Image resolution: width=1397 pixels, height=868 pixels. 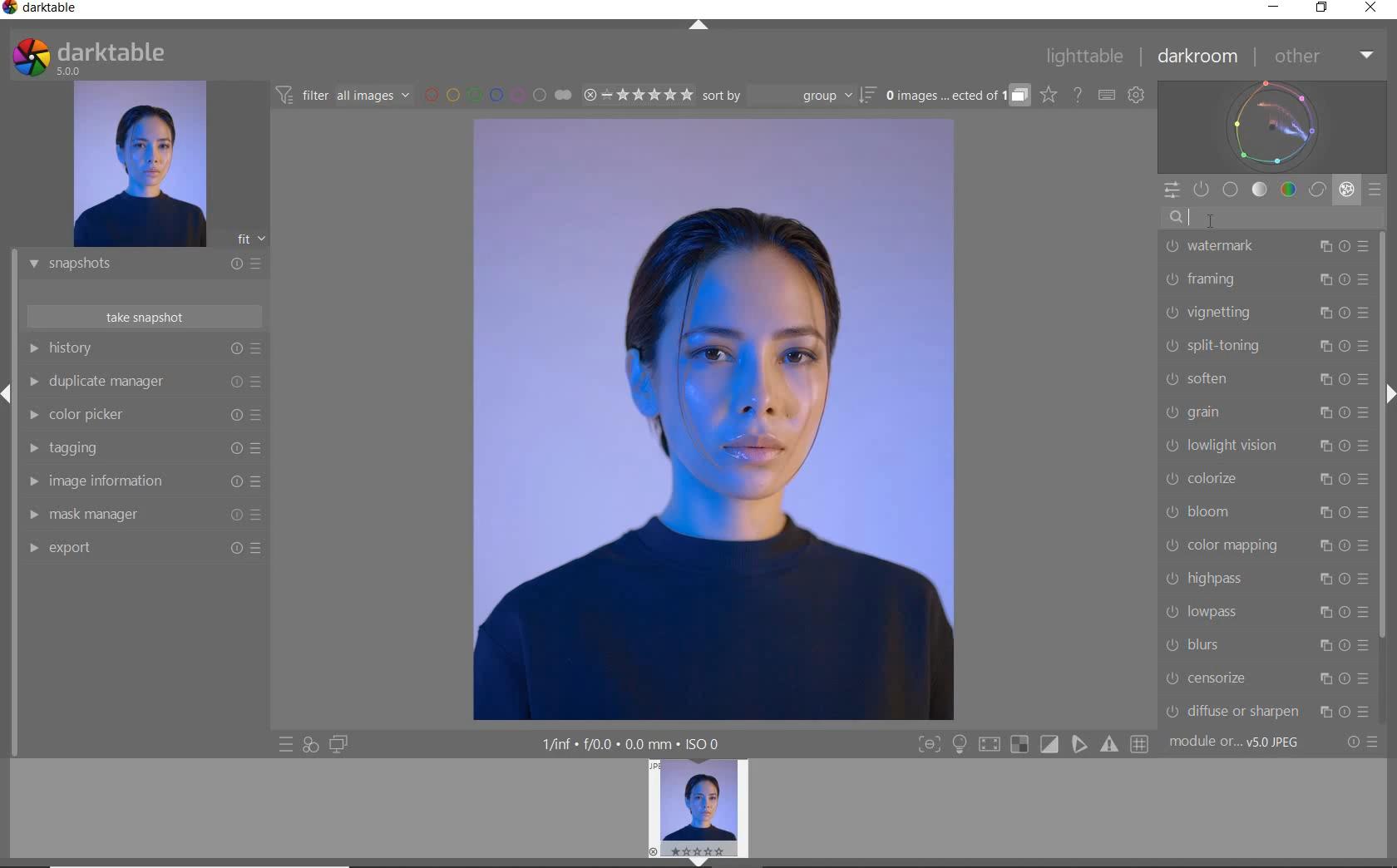 I want to click on RESET OR PRESETS & PREFERENCES, so click(x=1365, y=742).